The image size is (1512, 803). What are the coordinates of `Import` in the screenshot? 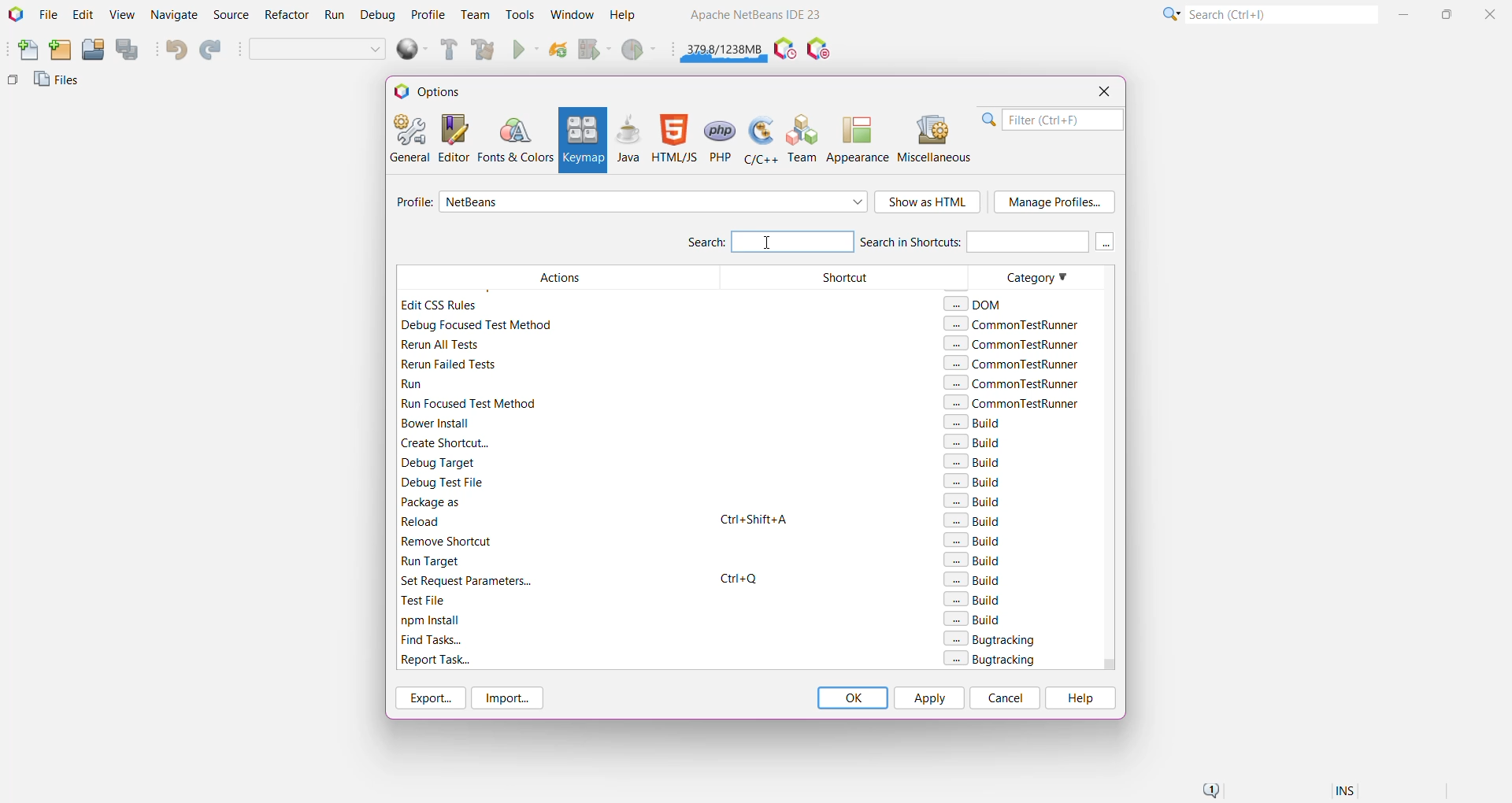 It's located at (510, 698).